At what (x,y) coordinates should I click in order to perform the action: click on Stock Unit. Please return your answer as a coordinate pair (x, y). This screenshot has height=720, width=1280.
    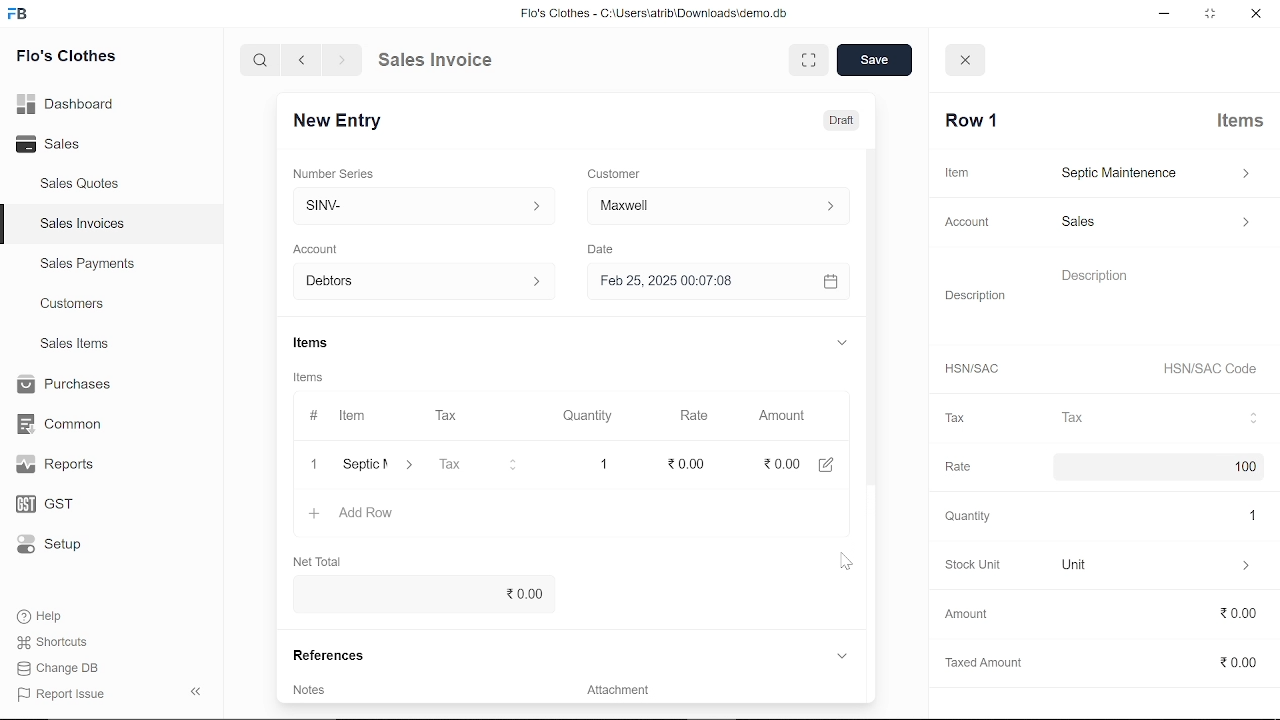
    Looking at the image, I should click on (968, 565).